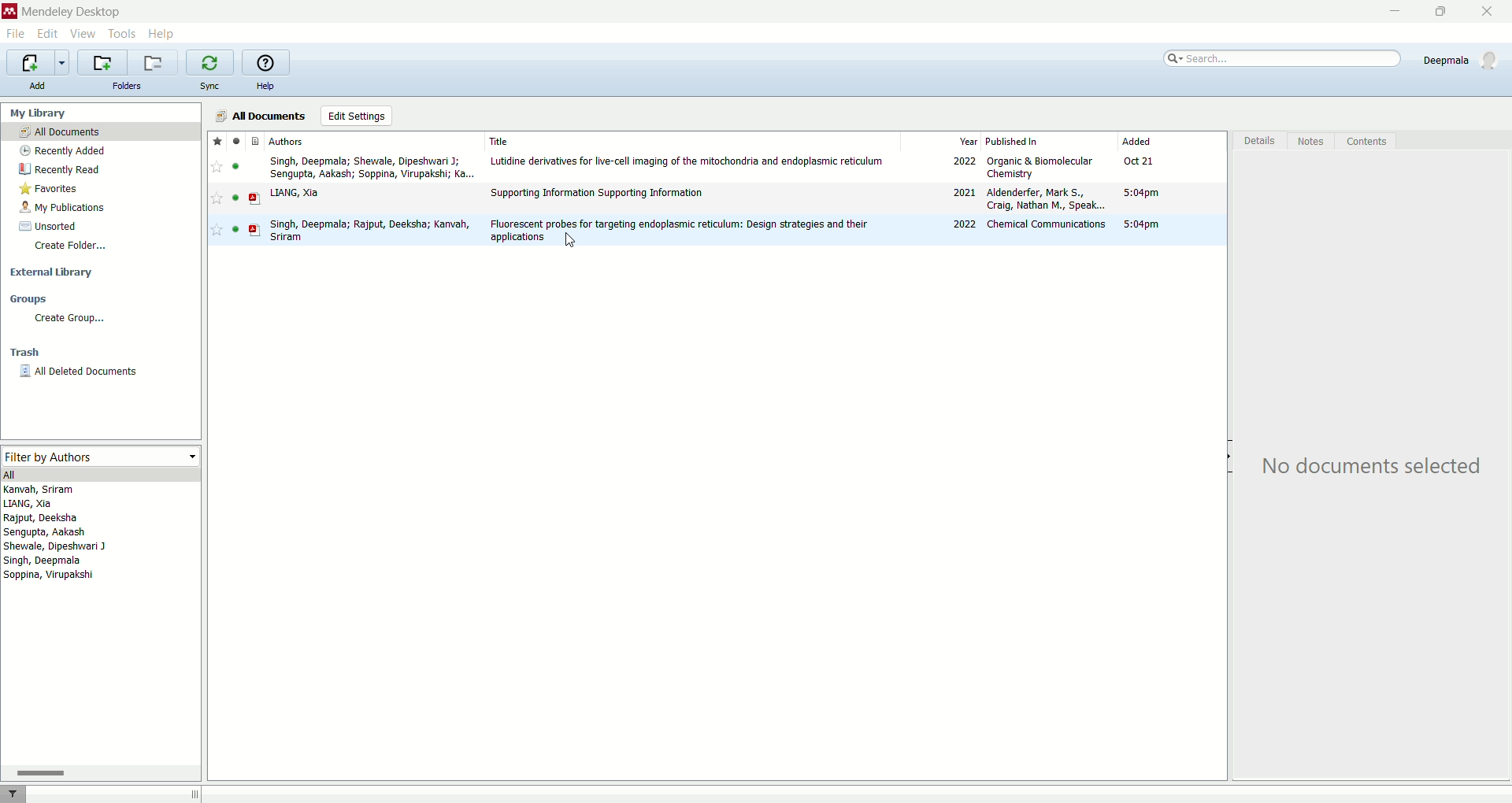 Image resolution: width=1512 pixels, height=803 pixels. Describe the element at coordinates (942, 140) in the screenshot. I see `year` at that location.